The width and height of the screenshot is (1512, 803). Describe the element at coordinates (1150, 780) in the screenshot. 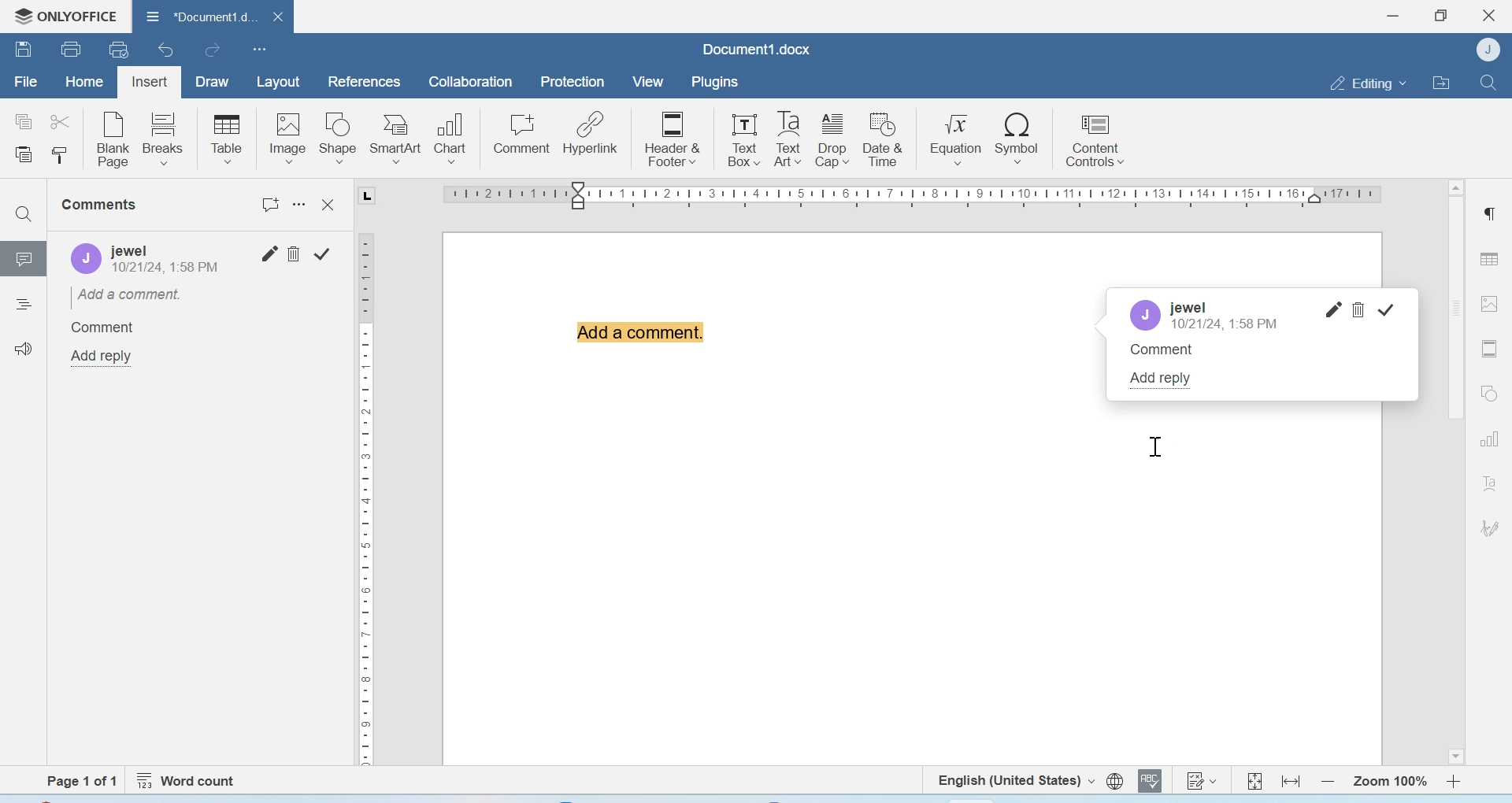

I see `Spell checking` at that location.